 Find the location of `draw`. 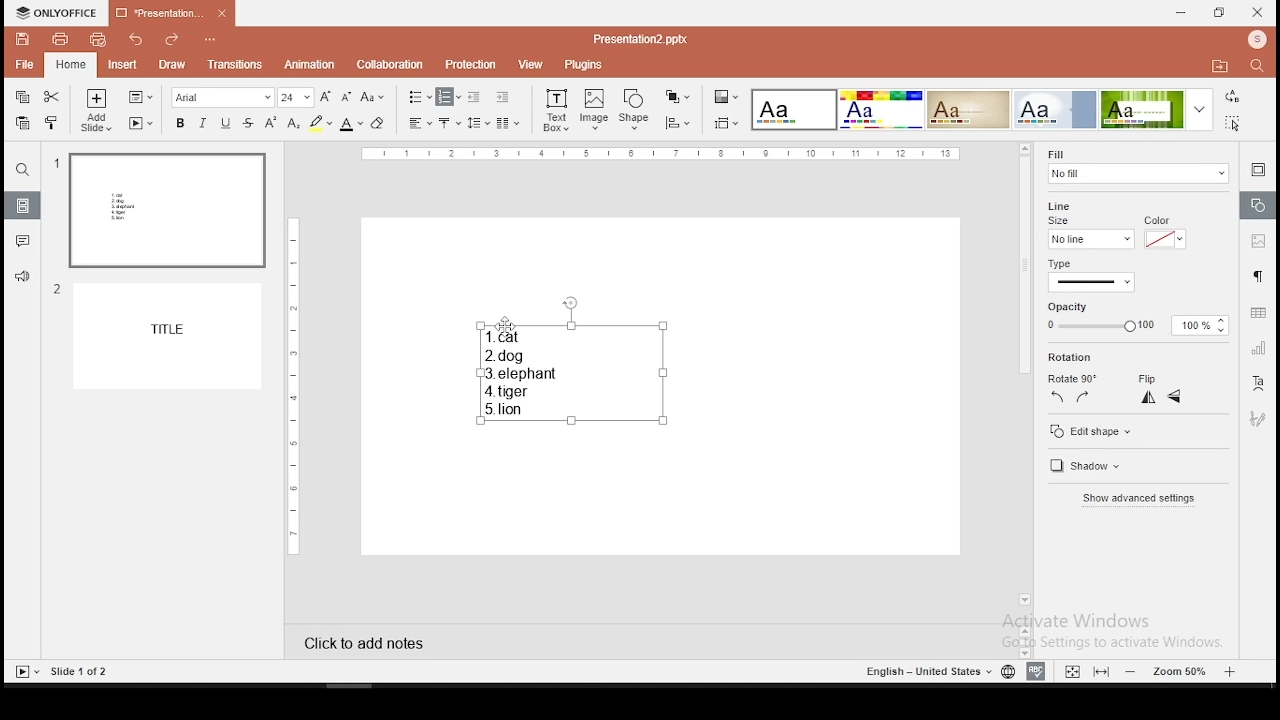

draw is located at coordinates (172, 66).